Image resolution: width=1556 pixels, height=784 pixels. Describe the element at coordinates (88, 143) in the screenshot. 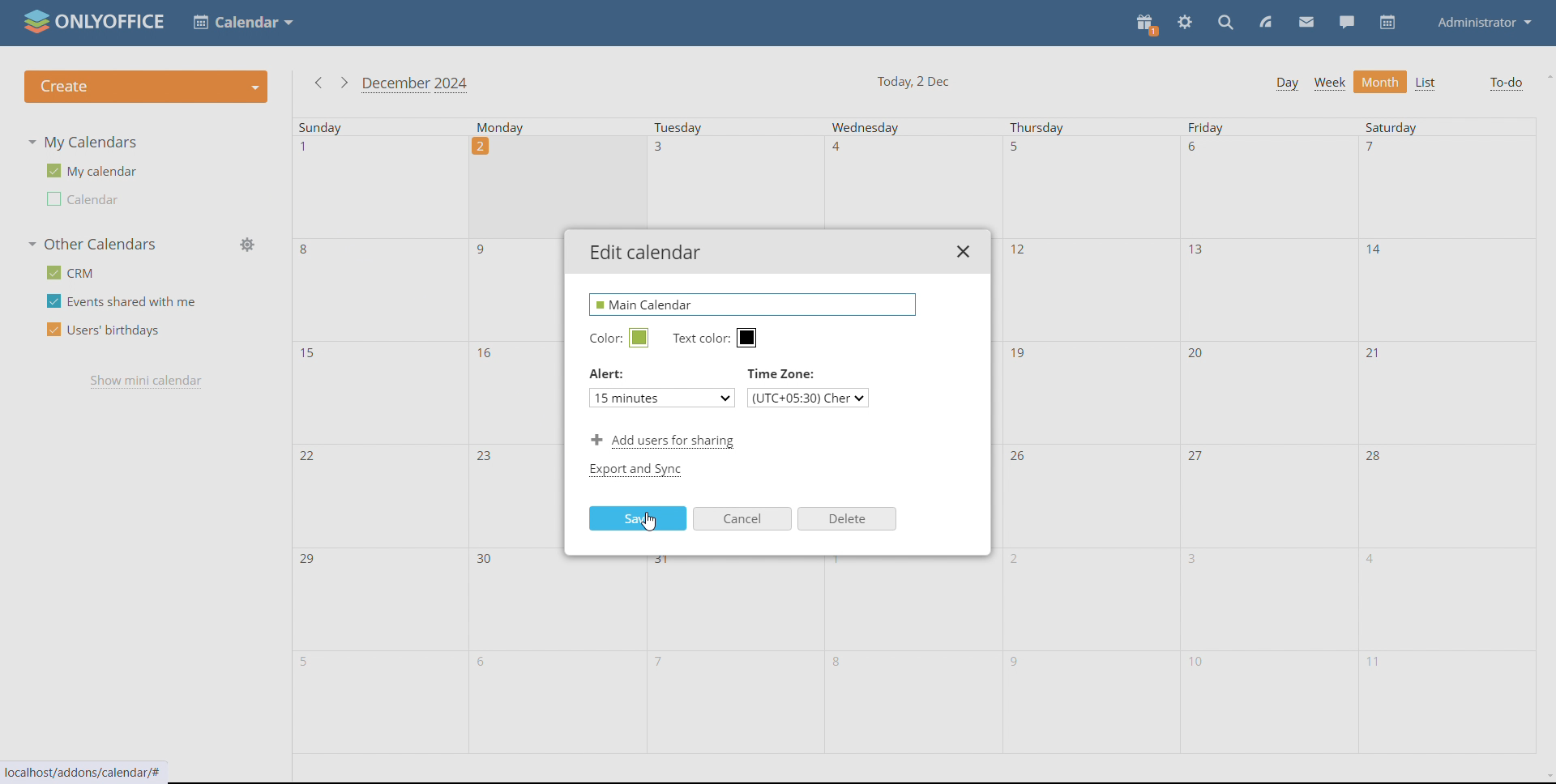

I see `my calendars` at that location.